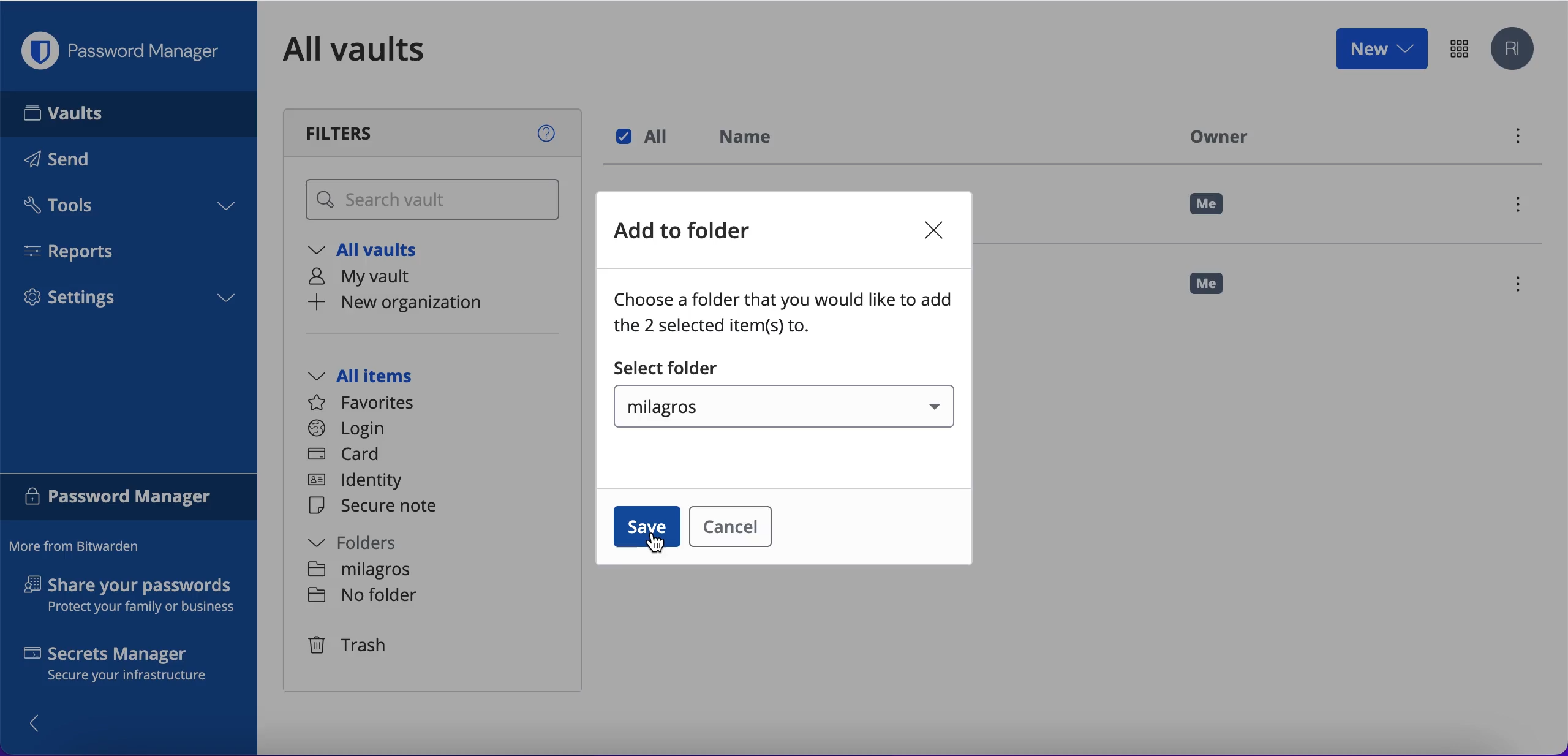 This screenshot has height=756, width=1568. I want to click on close, so click(925, 232).